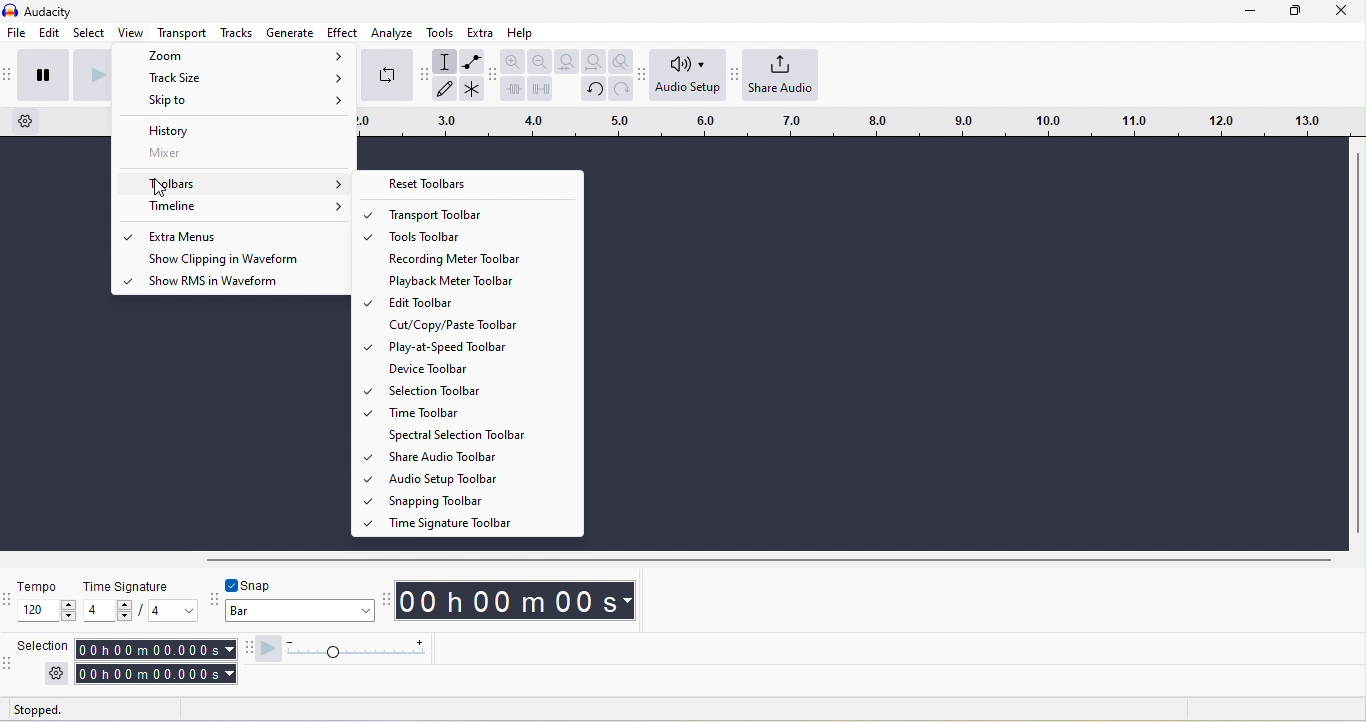  Describe the element at coordinates (472, 89) in the screenshot. I see `multi-tool` at that location.